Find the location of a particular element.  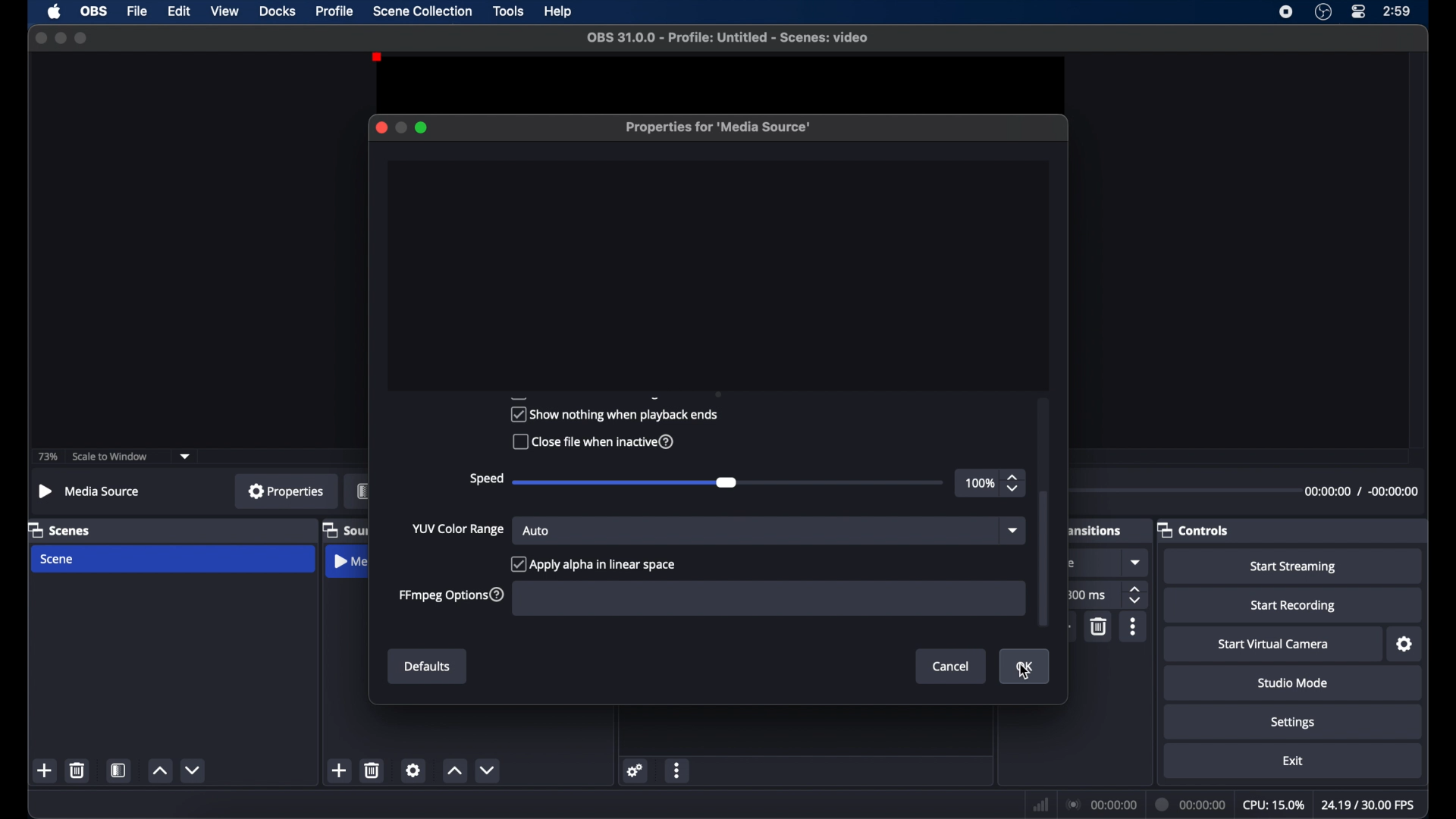

control center is located at coordinates (1357, 12).